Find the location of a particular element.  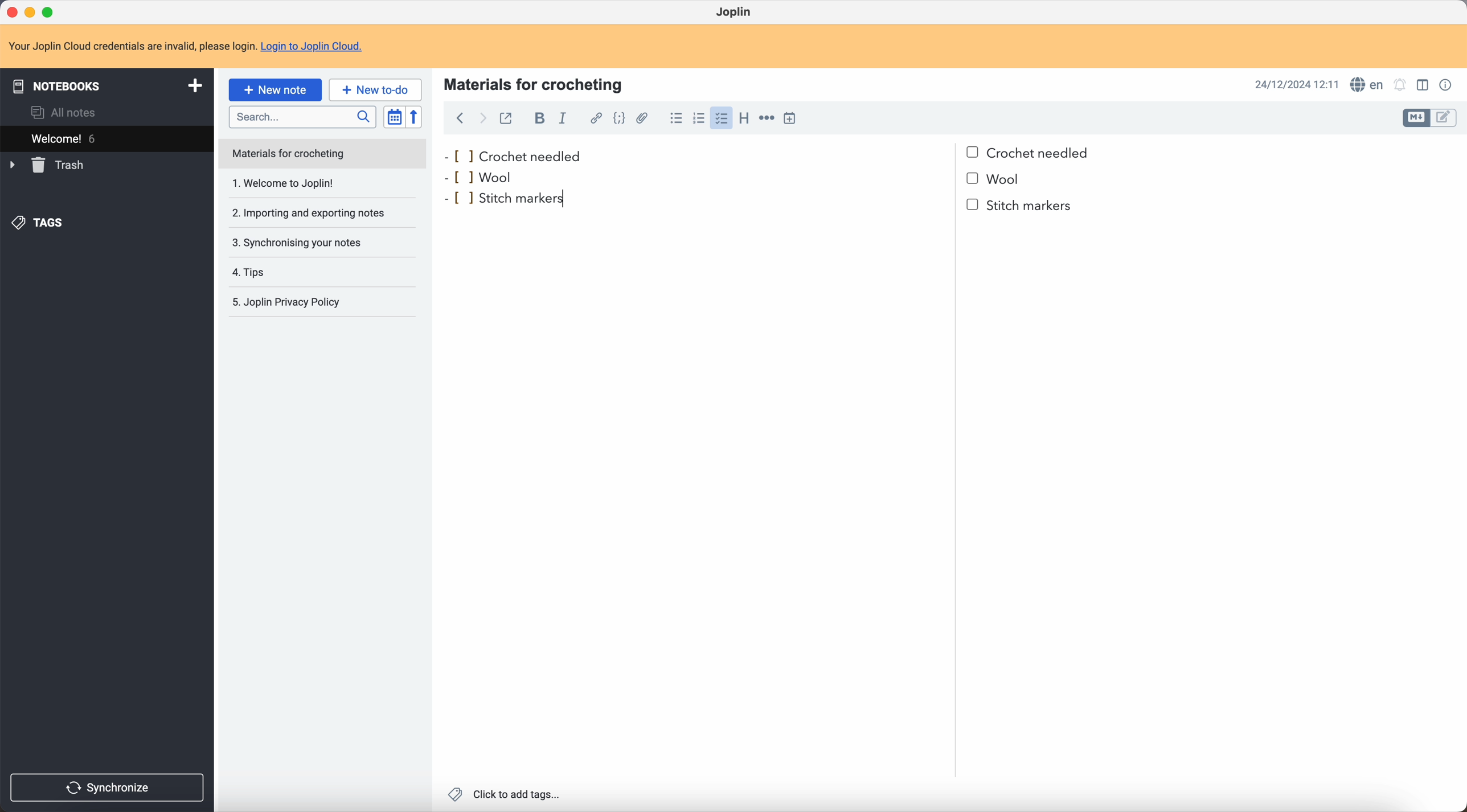

importing and exporting notes is located at coordinates (315, 212).